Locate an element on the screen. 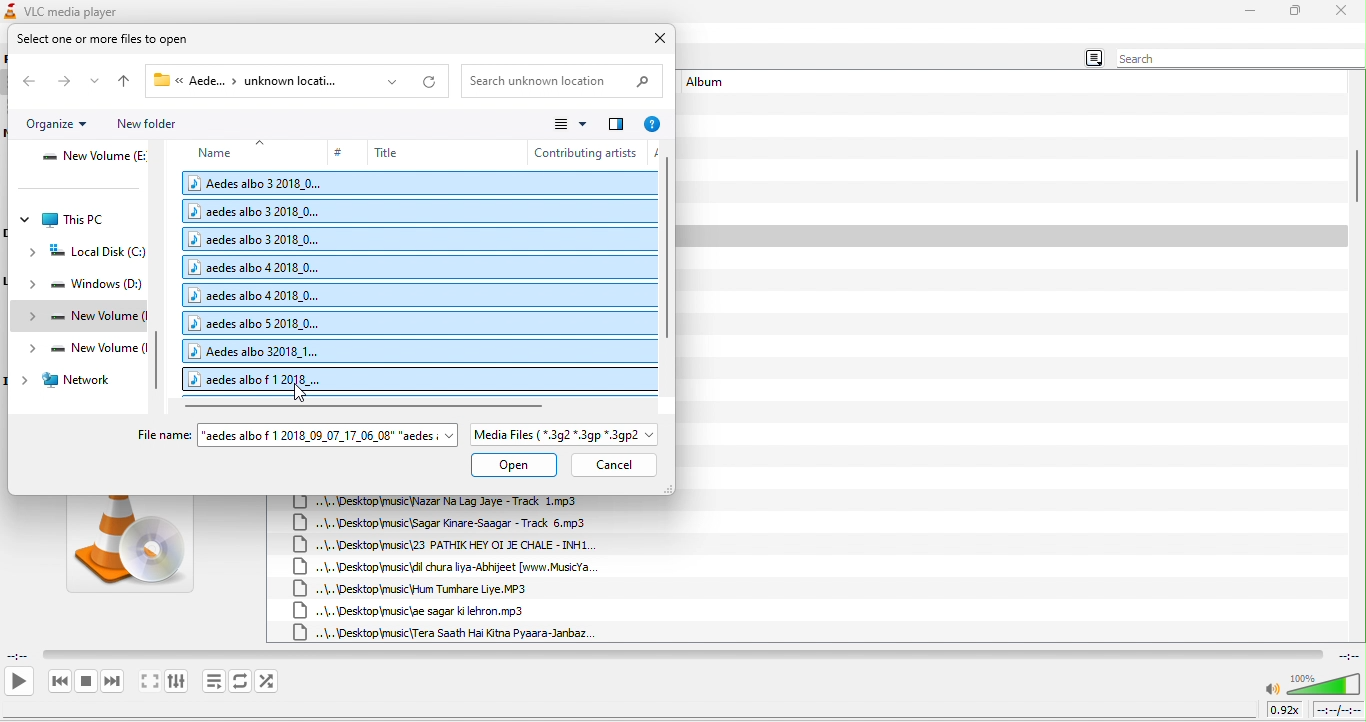  name is located at coordinates (228, 150).